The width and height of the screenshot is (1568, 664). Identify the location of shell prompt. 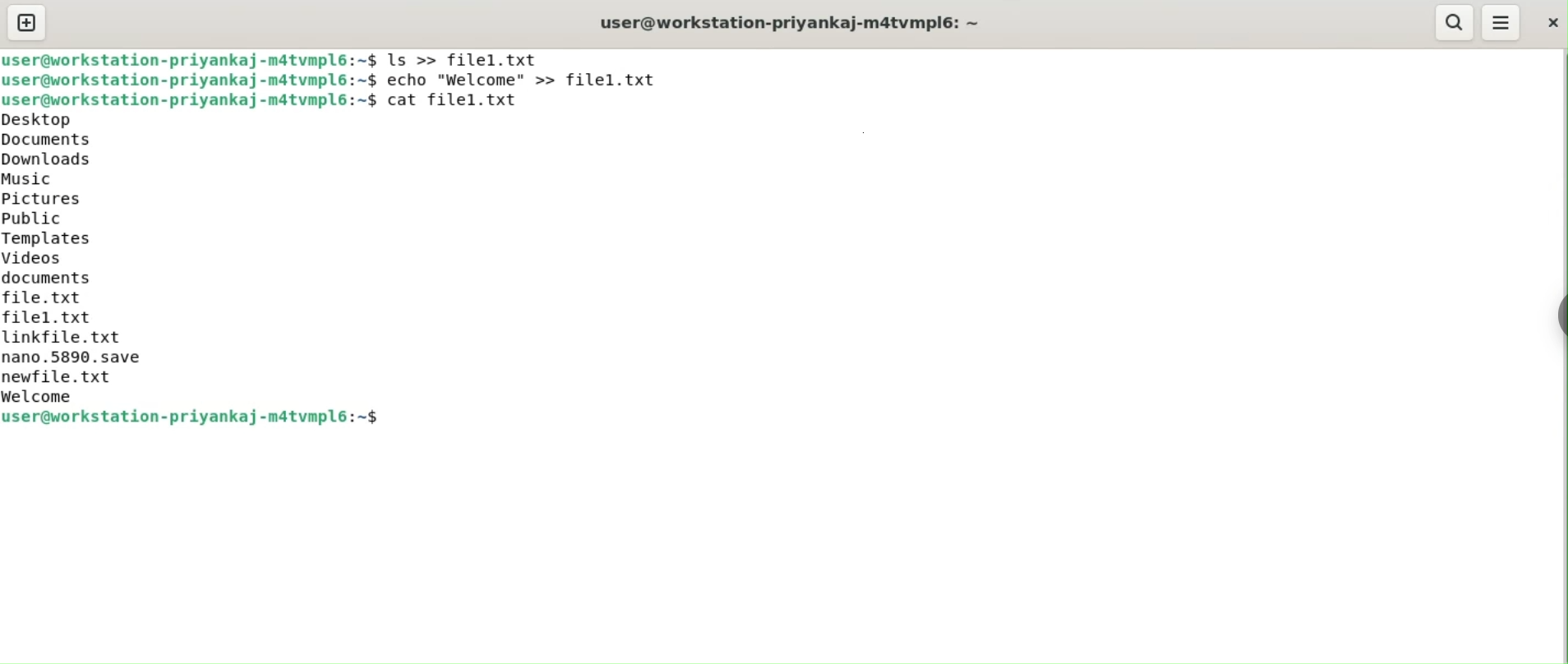
(189, 99).